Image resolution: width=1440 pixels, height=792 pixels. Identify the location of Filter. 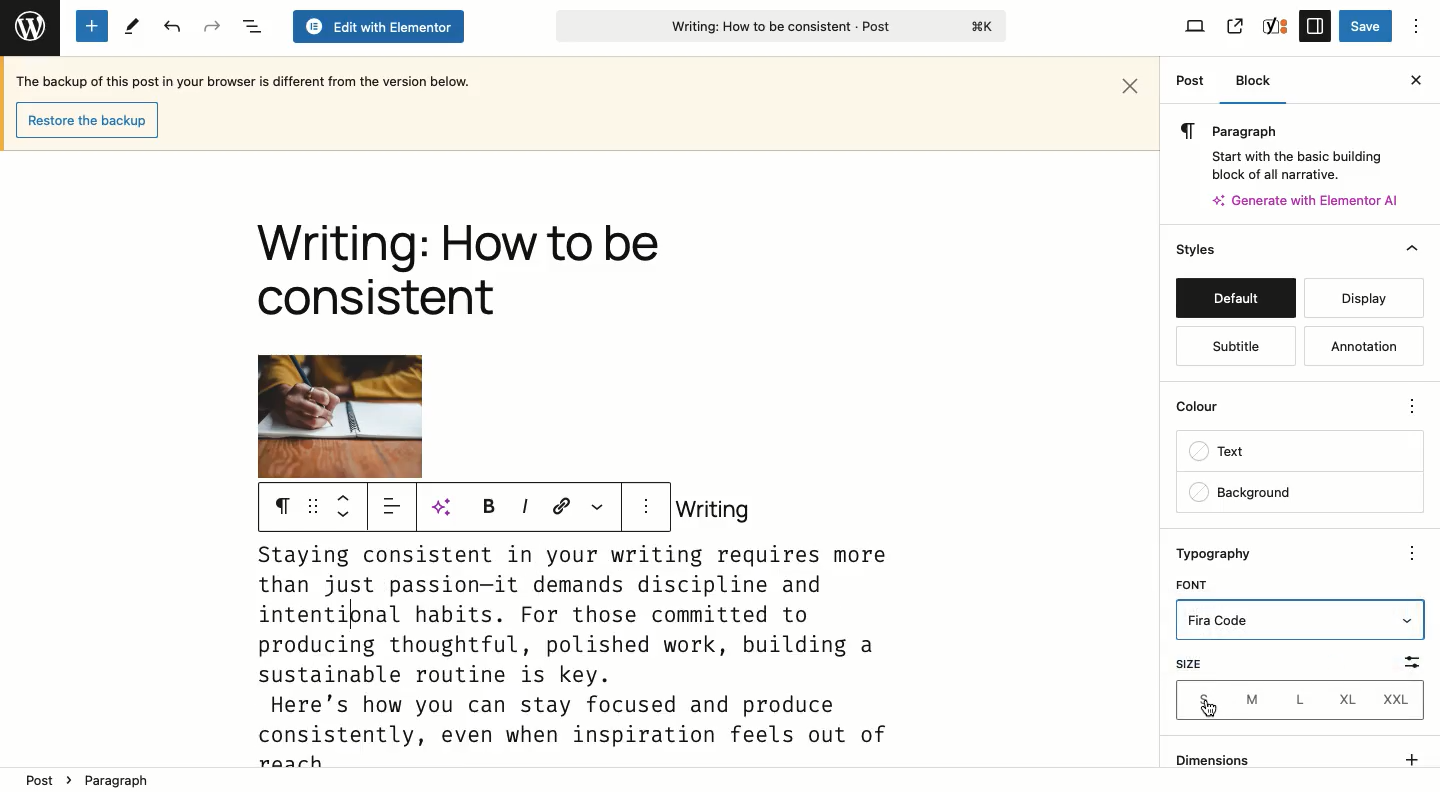
(1398, 660).